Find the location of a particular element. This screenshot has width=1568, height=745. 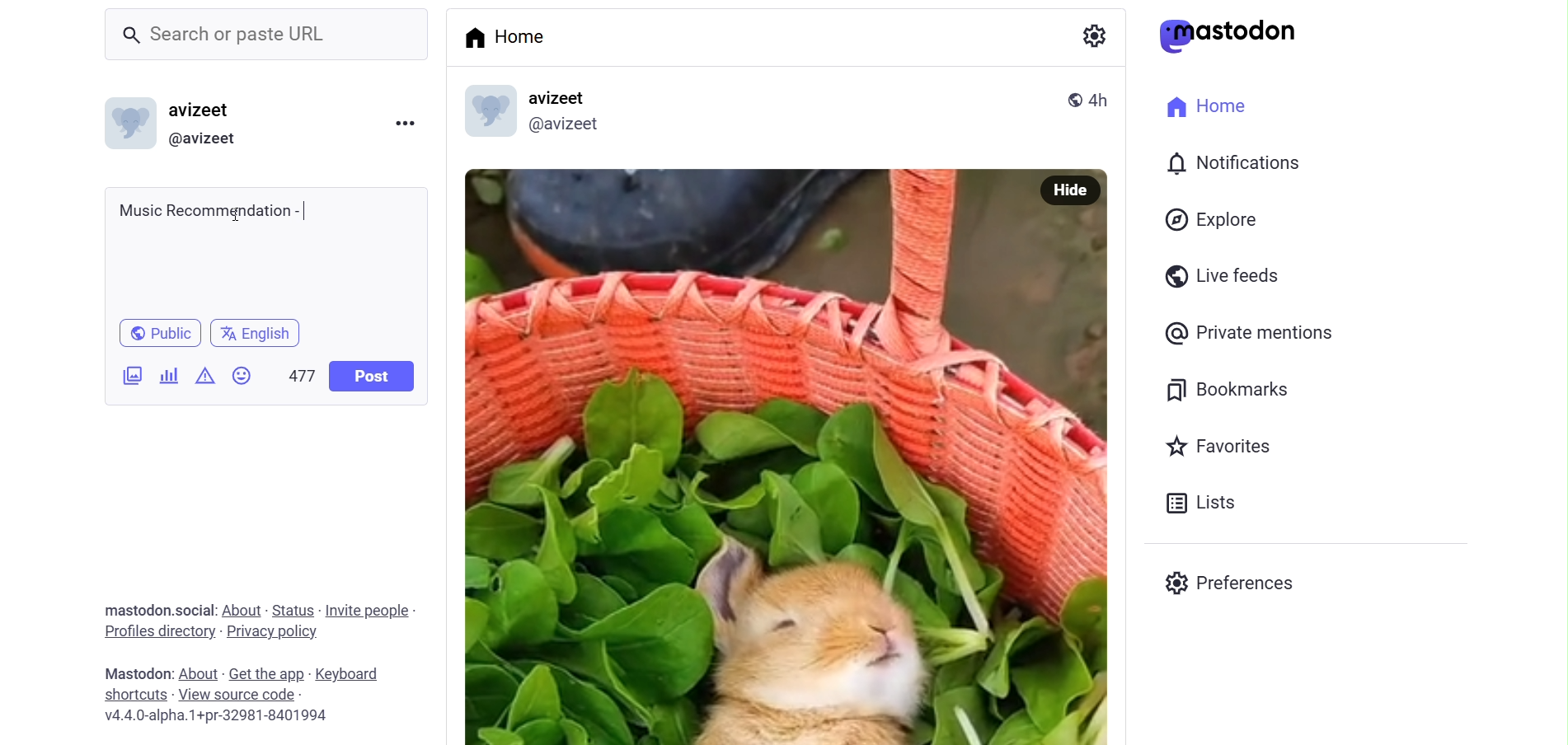

Favorites is located at coordinates (1223, 447).